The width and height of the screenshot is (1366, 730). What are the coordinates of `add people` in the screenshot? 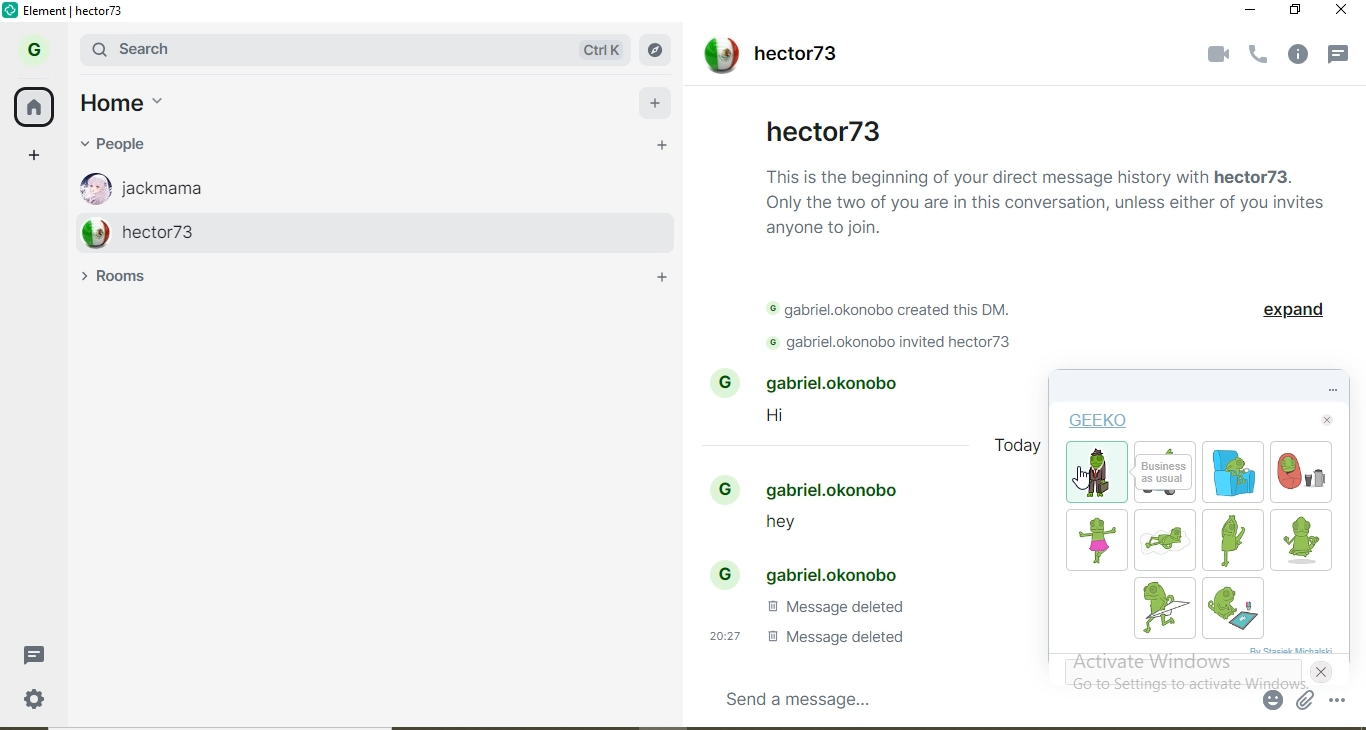 It's located at (662, 147).